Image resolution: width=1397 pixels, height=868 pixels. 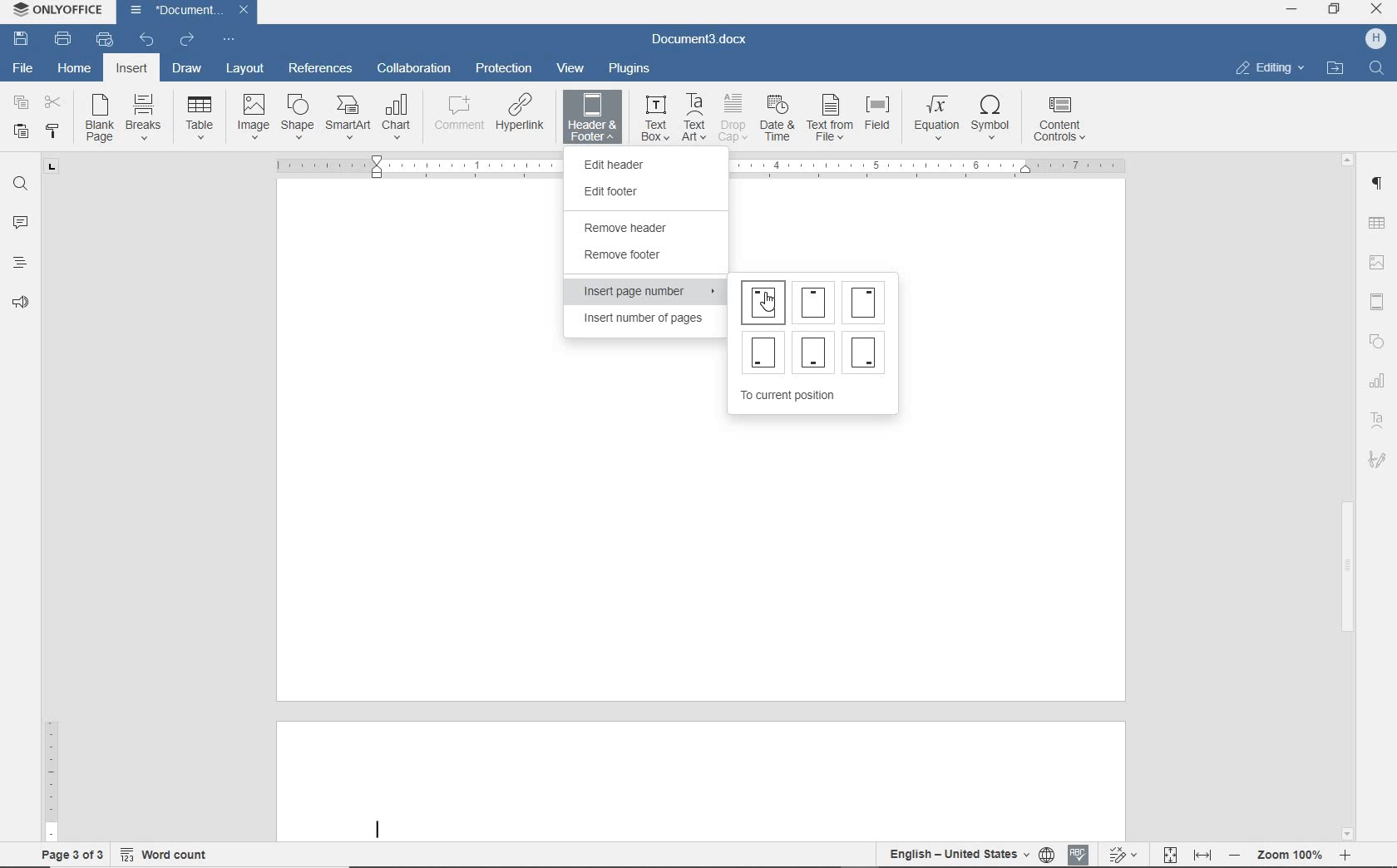 I want to click on UNDO, so click(x=149, y=38).